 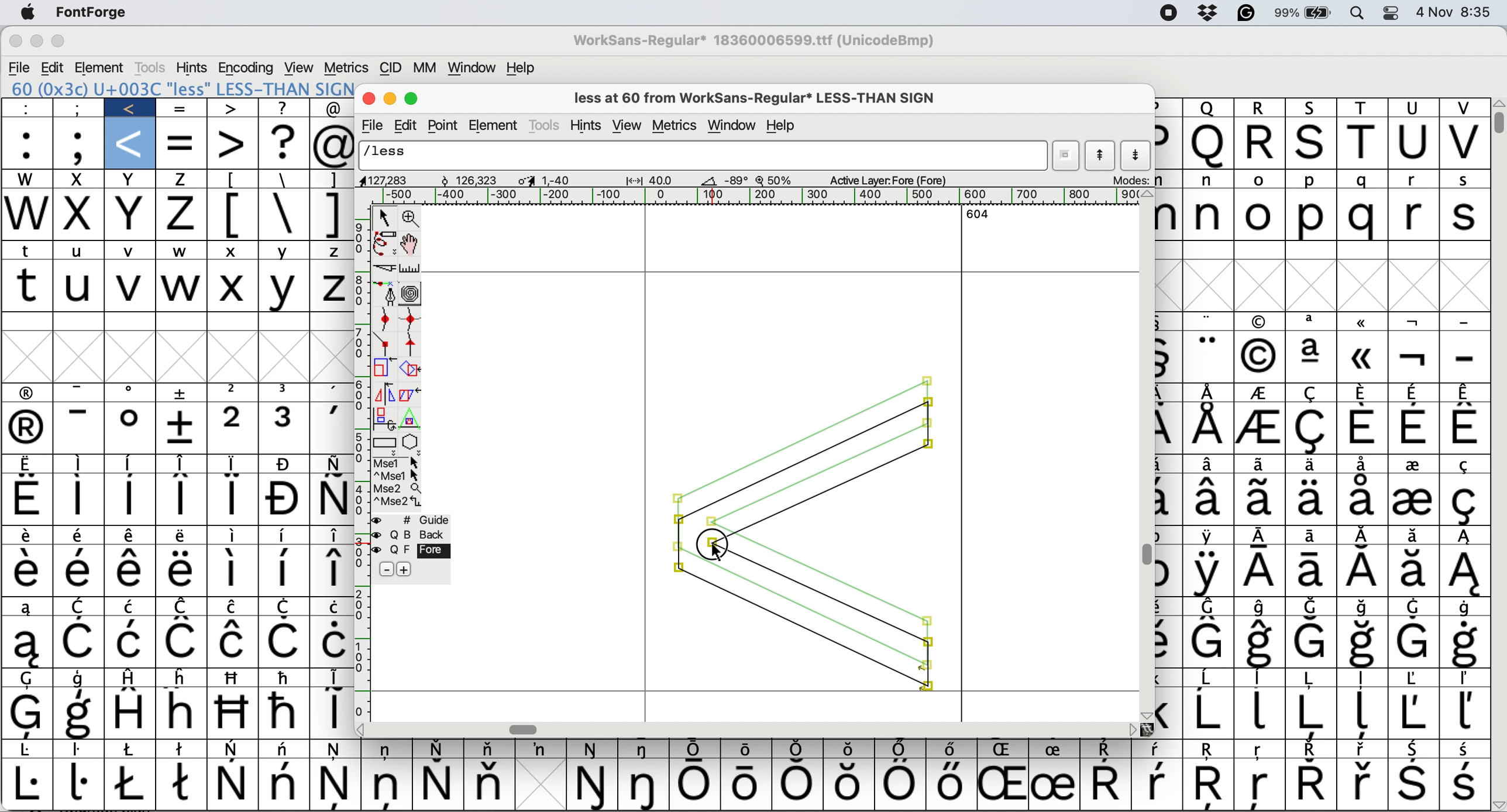 I want to click on Symbol, so click(x=232, y=712).